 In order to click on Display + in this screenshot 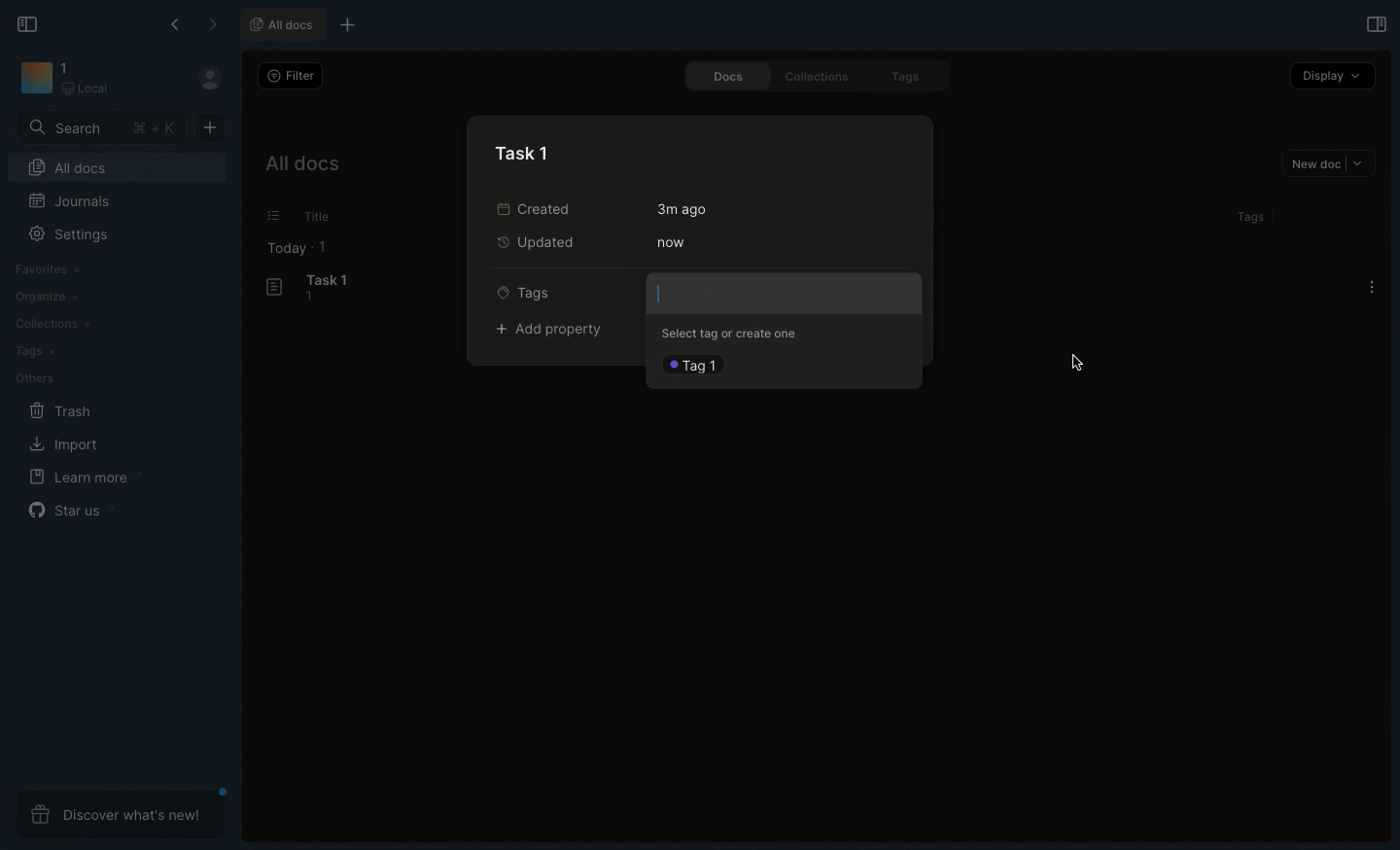, I will do `click(1331, 78)`.